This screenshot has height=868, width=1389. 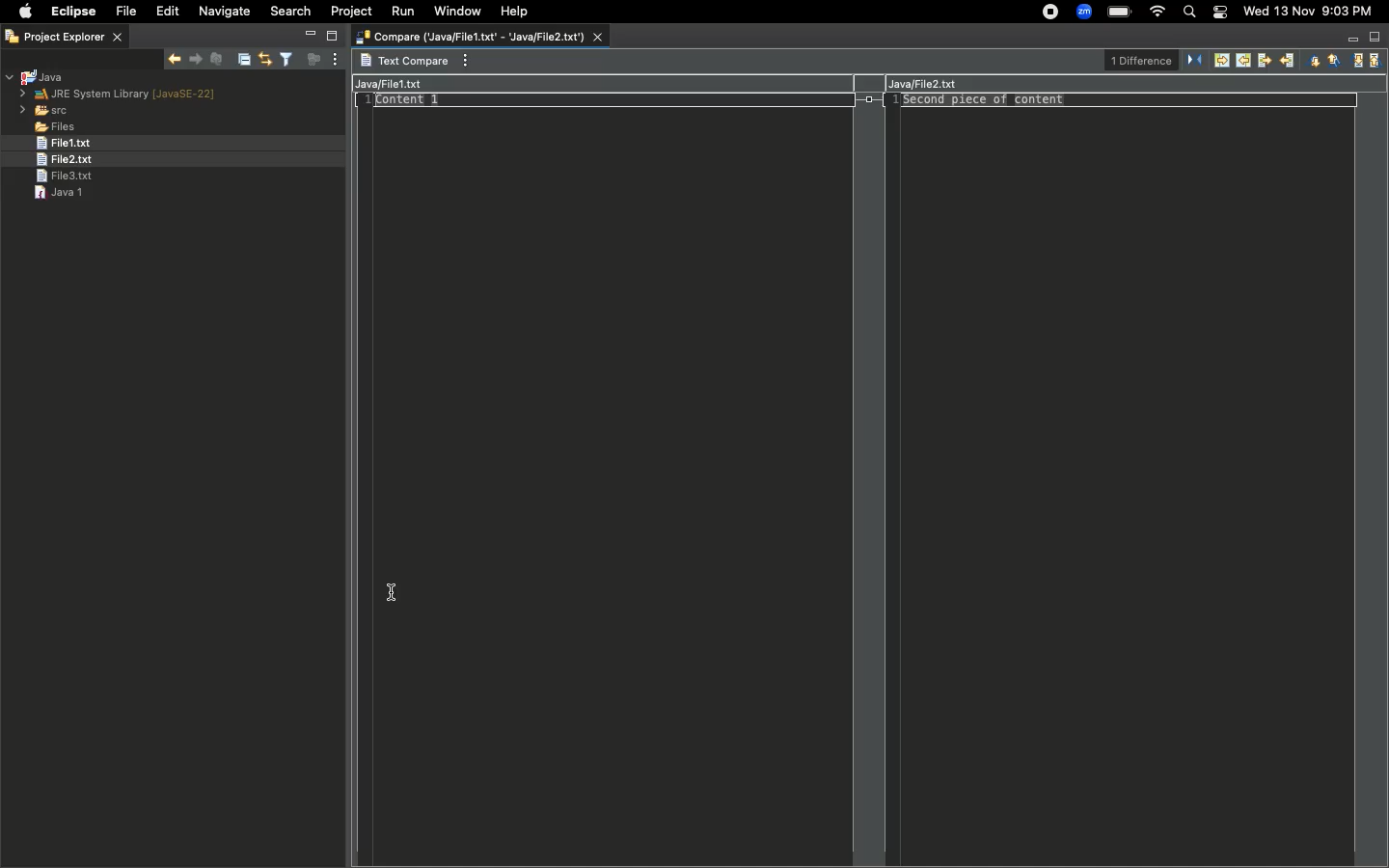 I want to click on Copy non-conflicting changes from left to right, so click(x=1222, y=60).